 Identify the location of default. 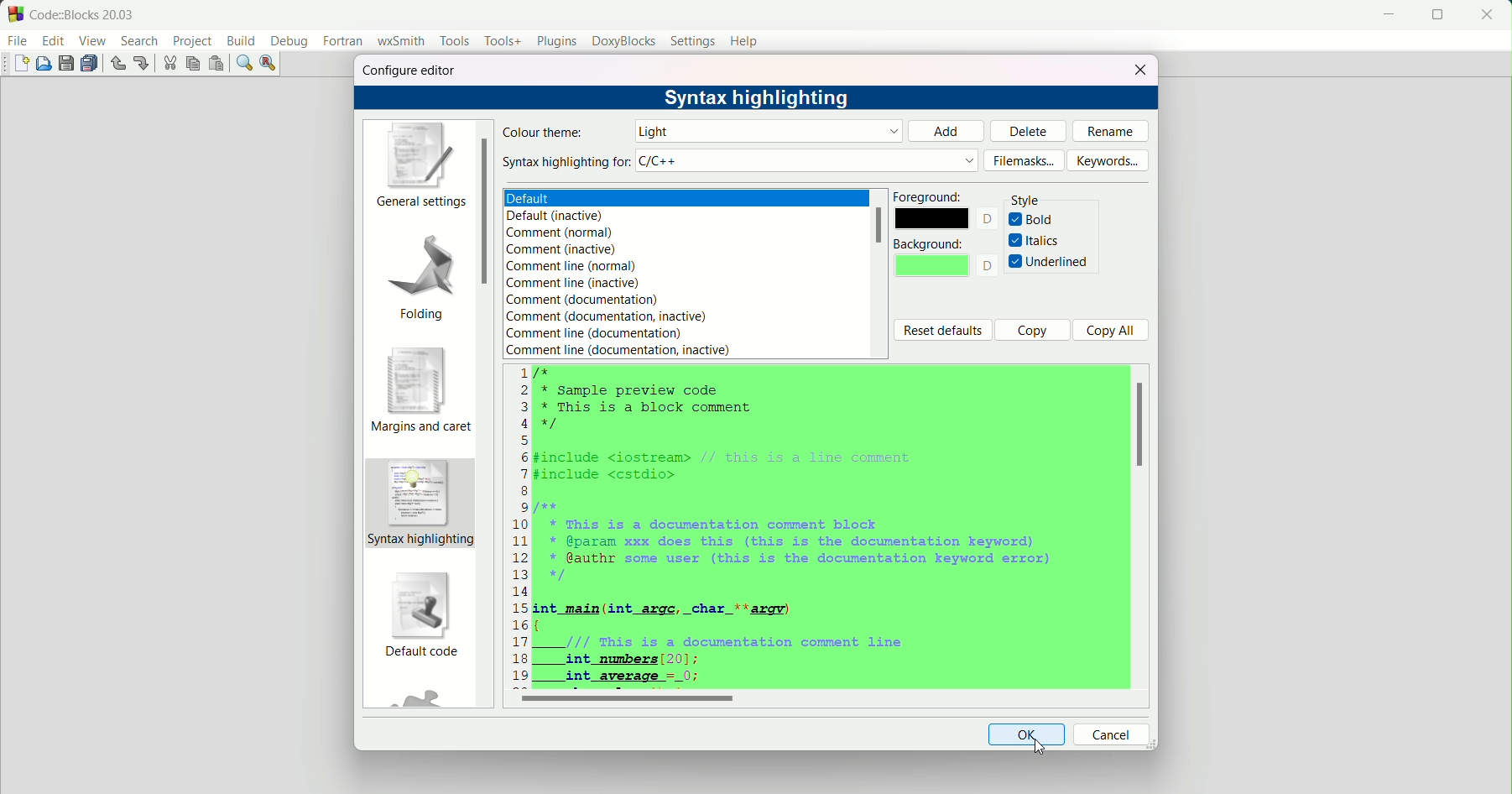
(767, 130).